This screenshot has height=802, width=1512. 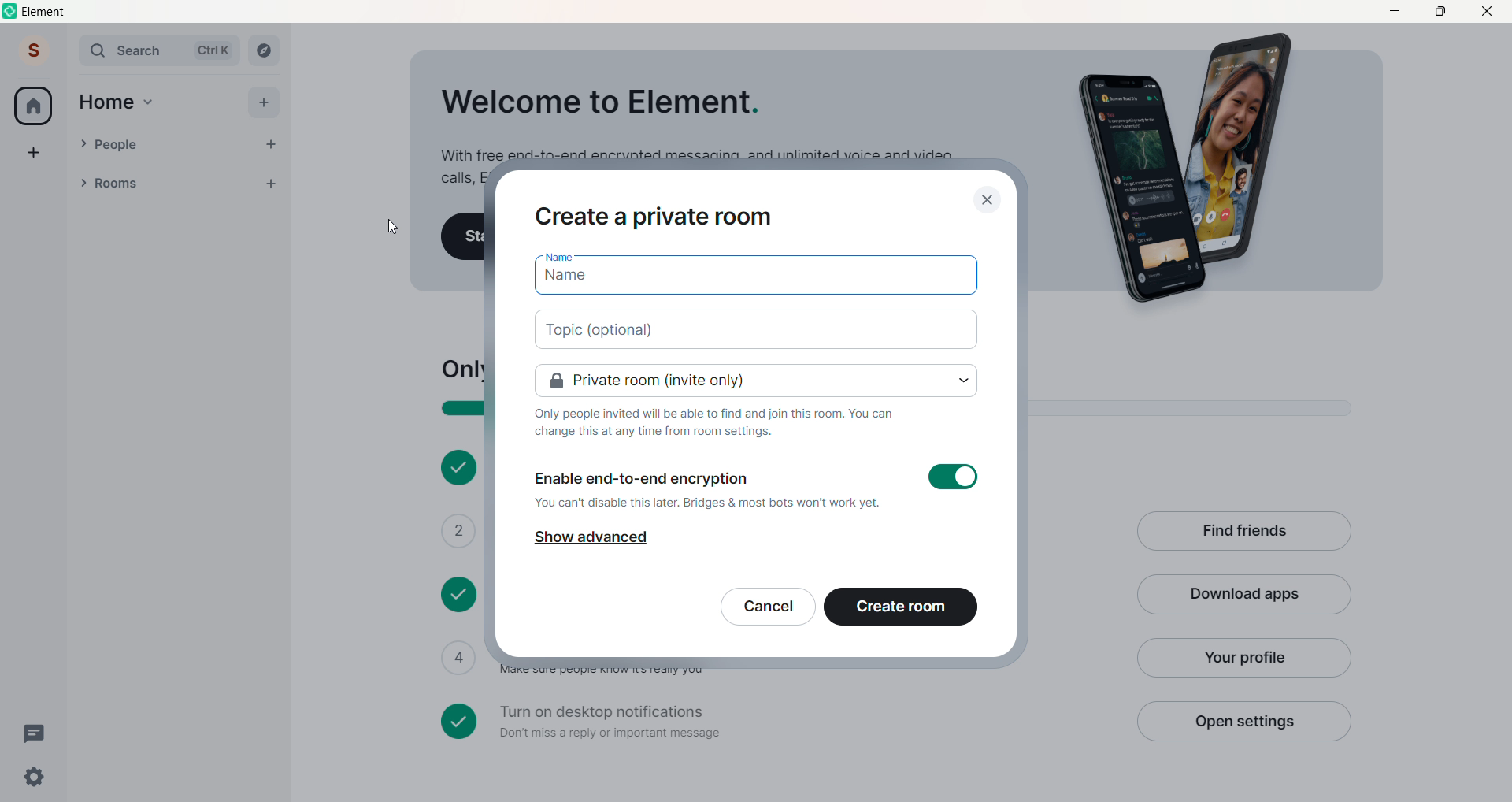 What do you see at coordinates (158, 184) in the screenshot?
I see `Rooms` at bounding box center [158, 184].